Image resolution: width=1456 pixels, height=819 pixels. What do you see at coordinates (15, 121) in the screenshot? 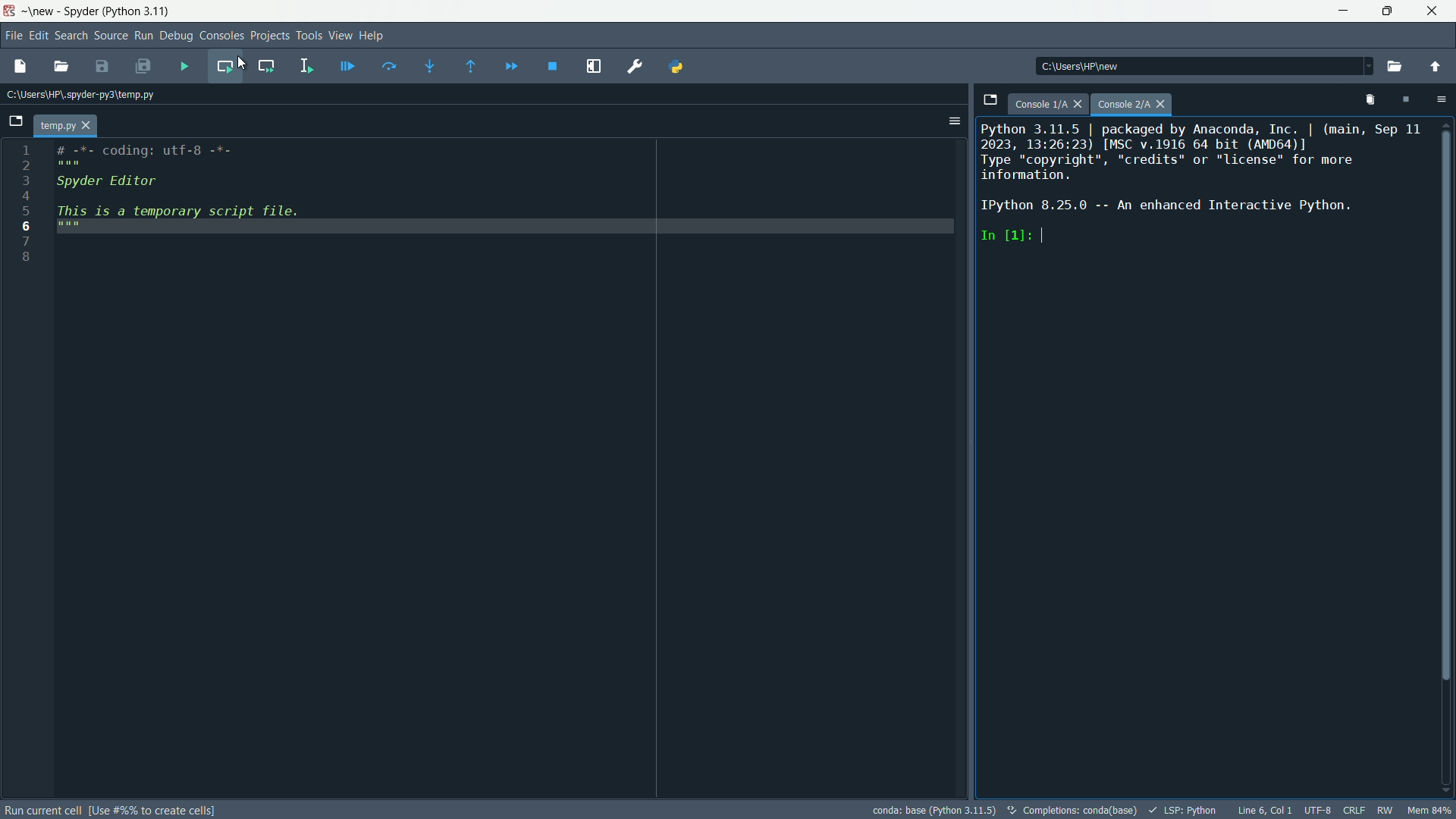
I see `browse tabs` at bounding box center [15, 121].